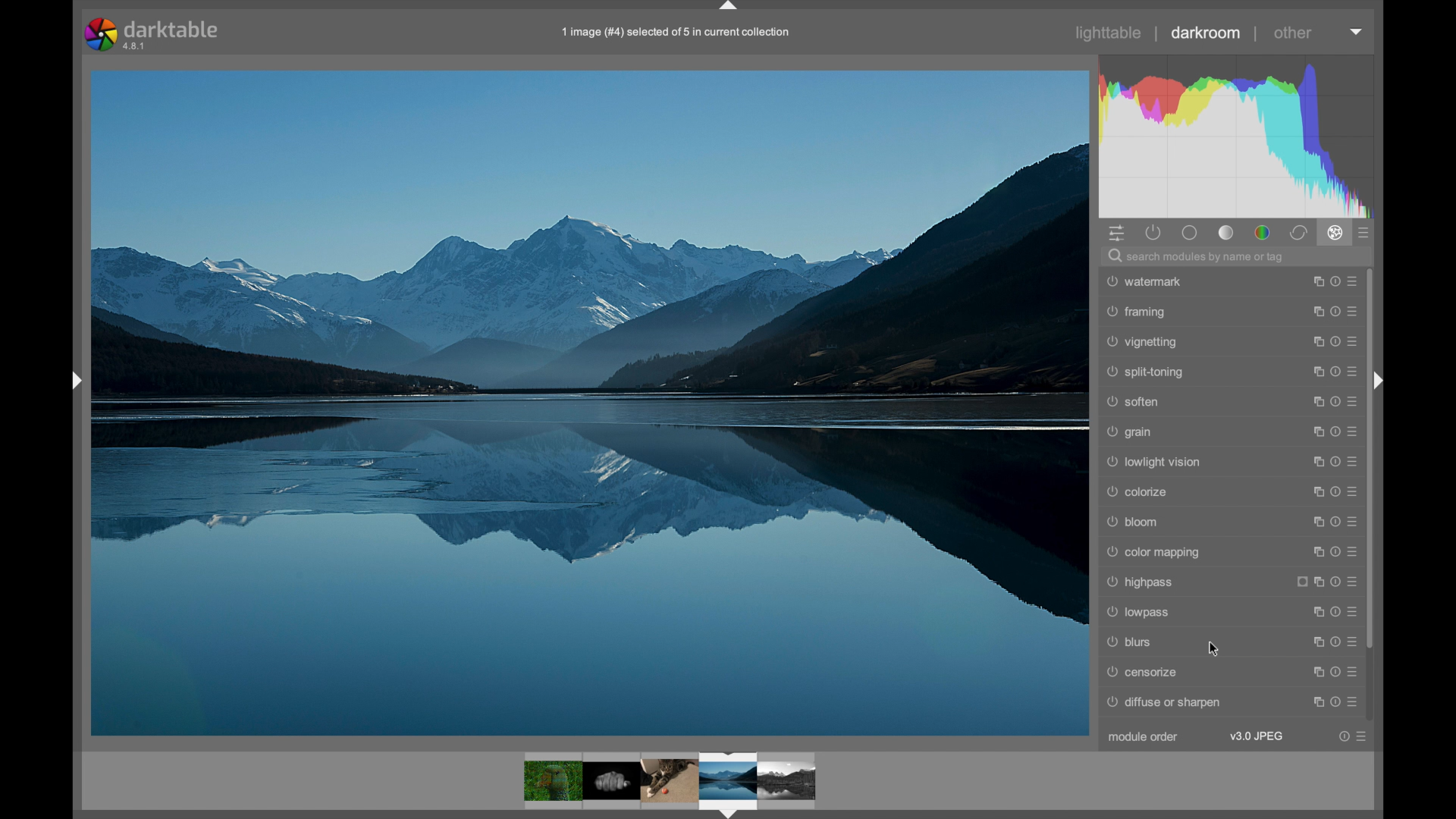 The height and width of the screenshot is (819, 1456). I want to click on effect, so click(1335, 234).